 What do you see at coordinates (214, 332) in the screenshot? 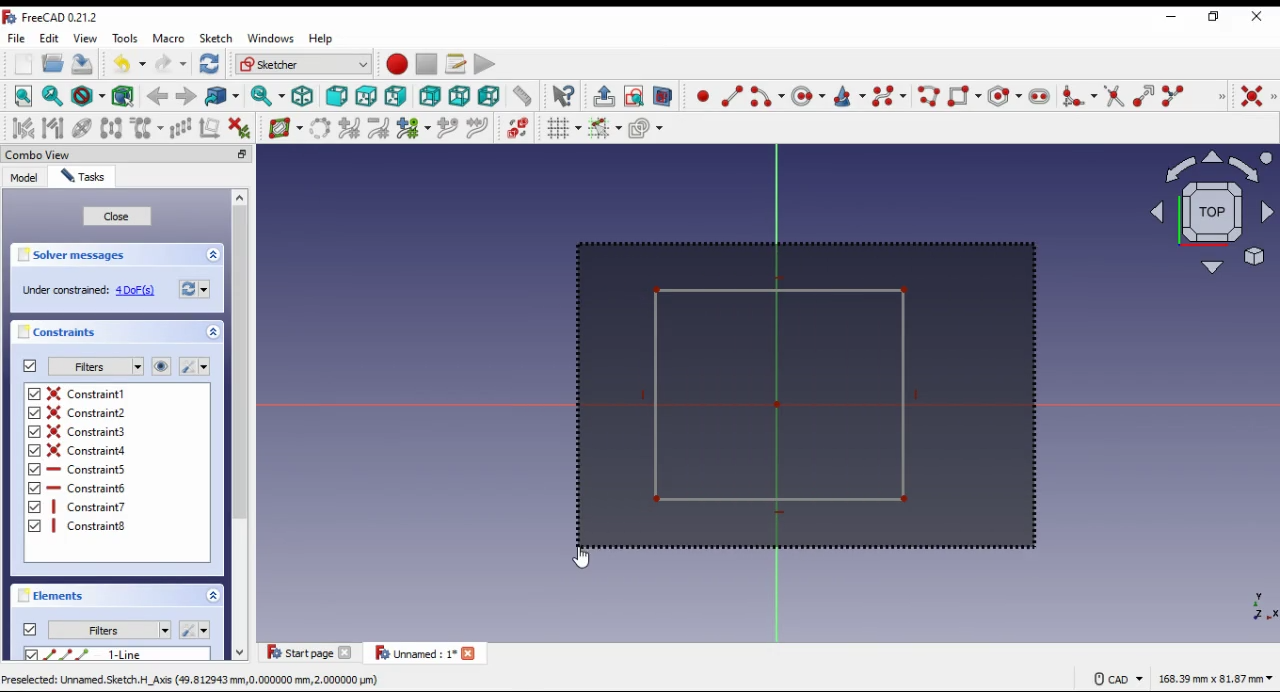
I see `expand/collapse` at bounding box center [214, 332].